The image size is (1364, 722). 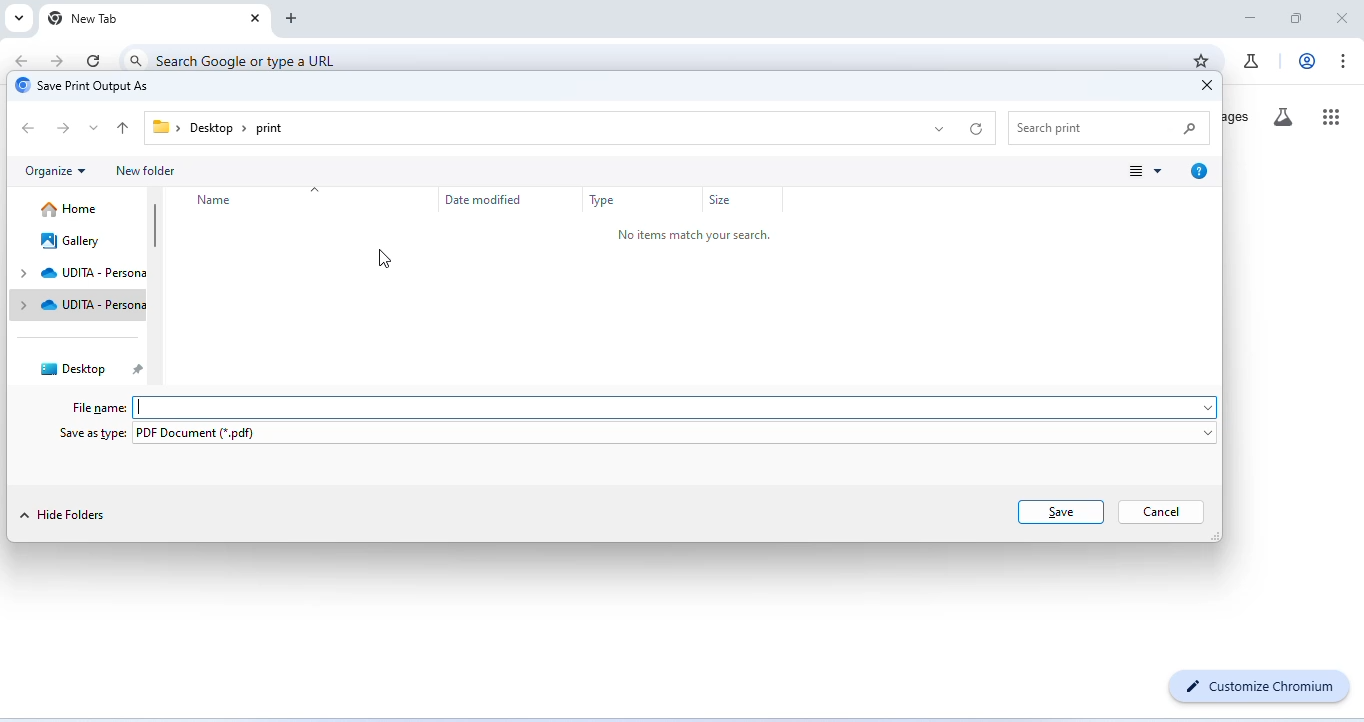 I want to click on search tabs, so click(x=20, y=18).